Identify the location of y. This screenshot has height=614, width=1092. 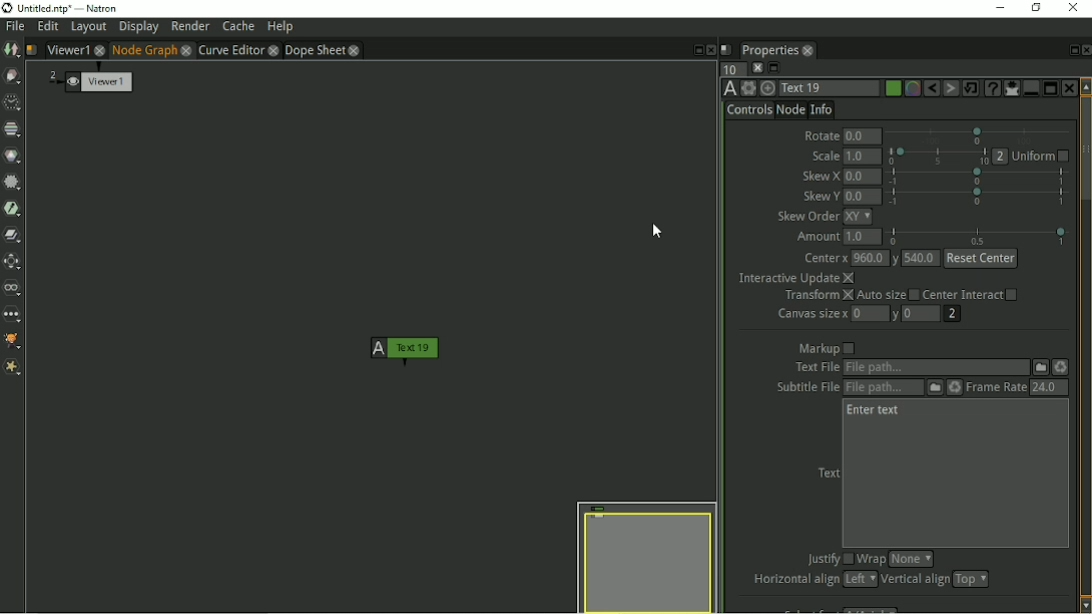
(899, 257).